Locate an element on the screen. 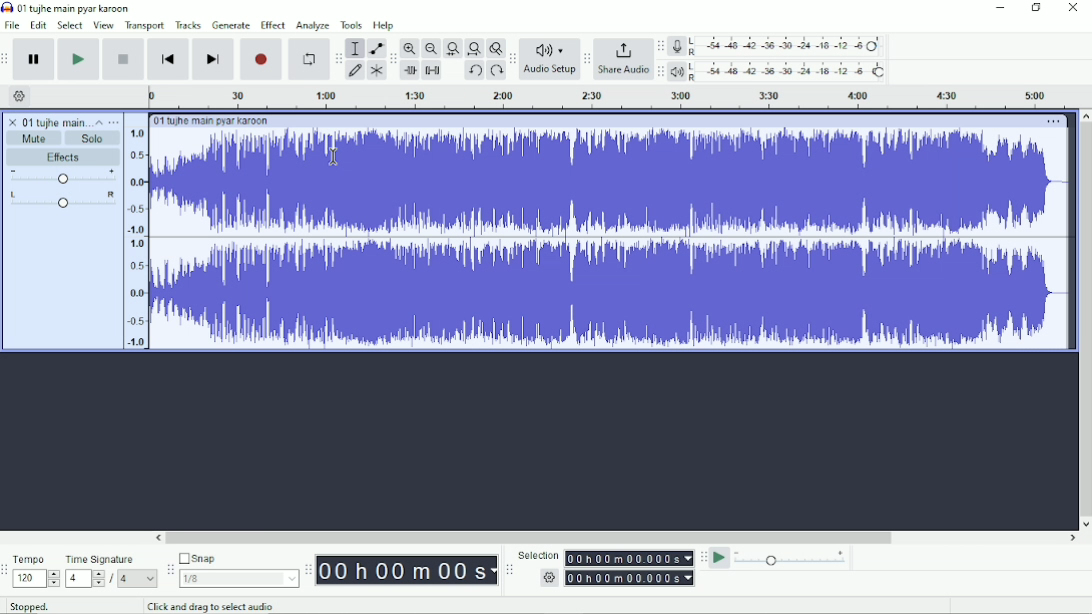  Multi-tool is located at coordinates (376, 70).